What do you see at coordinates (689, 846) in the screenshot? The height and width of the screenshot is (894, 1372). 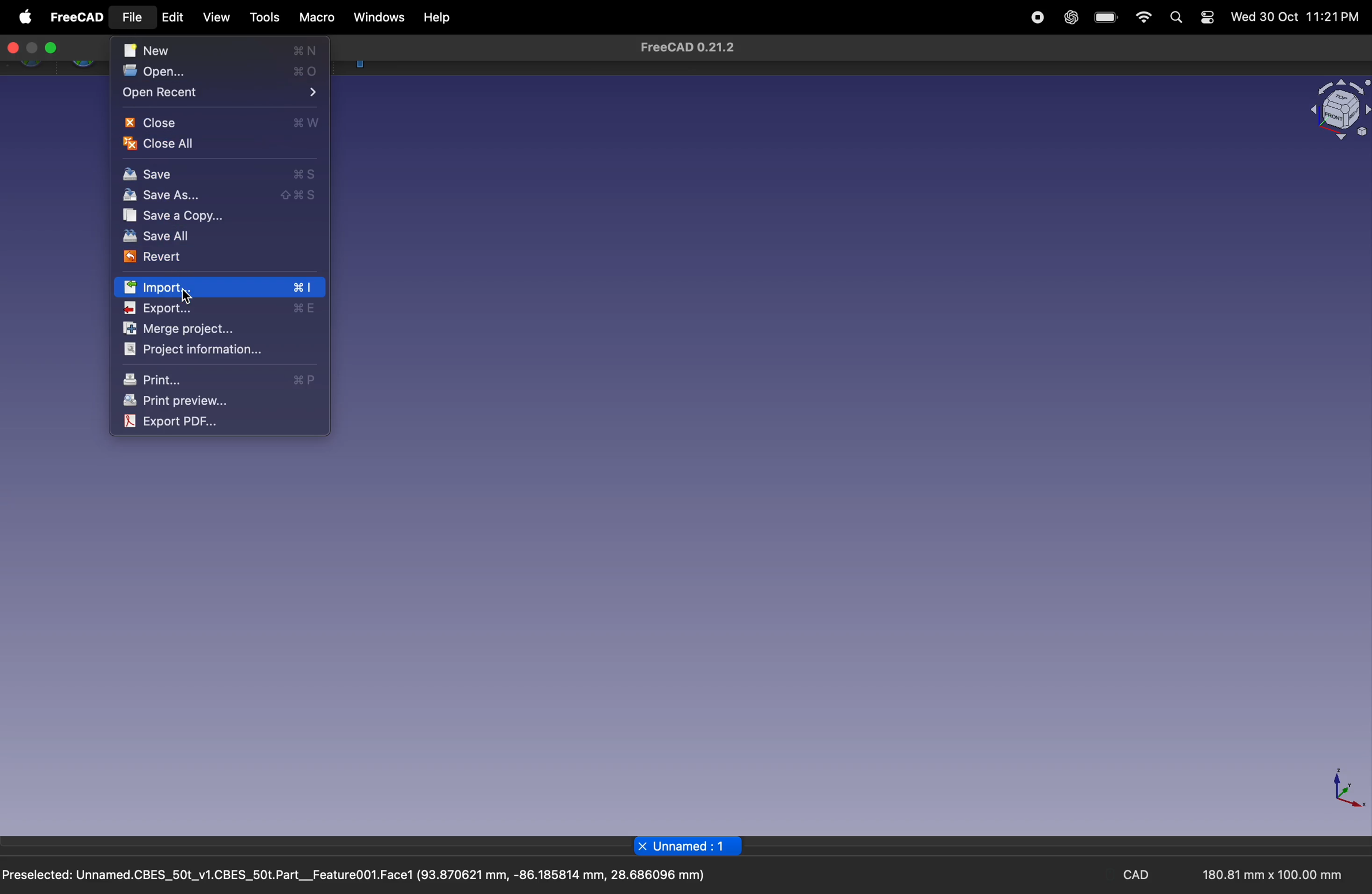 I see `page title` at bounding box center [689, 846].